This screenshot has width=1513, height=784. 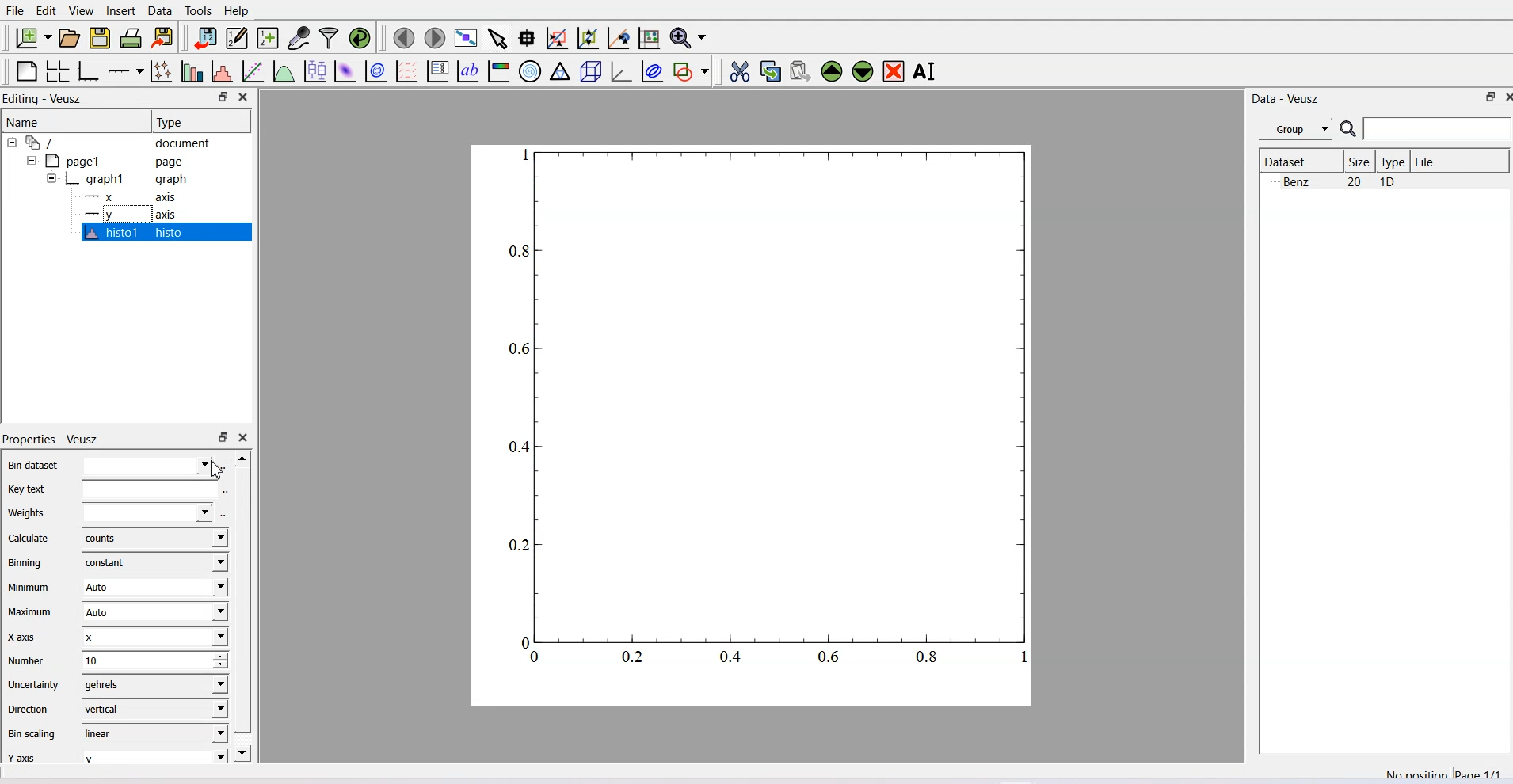 I want to click on Type, so click(x=200, y=121).